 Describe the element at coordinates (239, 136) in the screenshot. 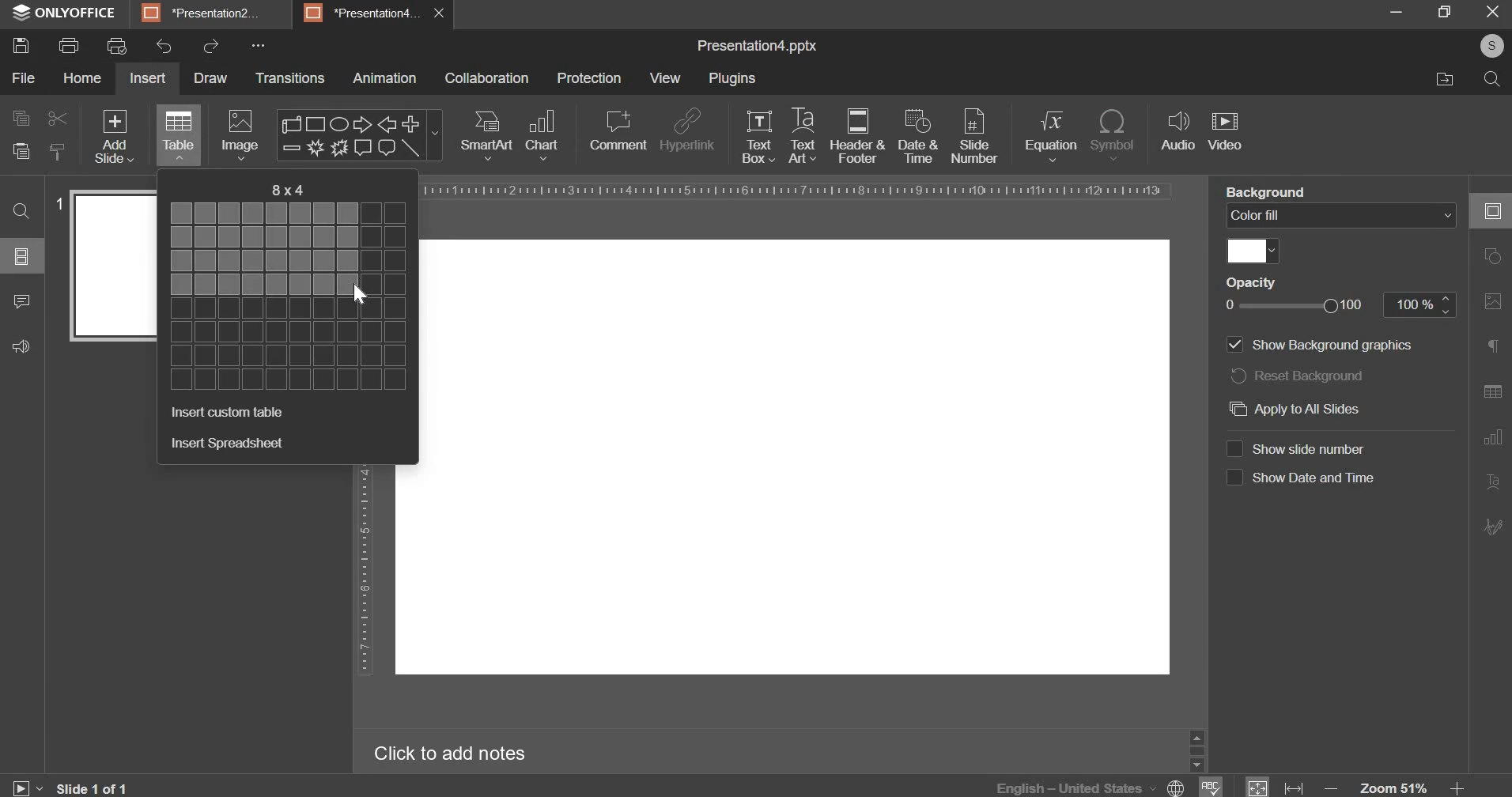

I see `image` at that location.